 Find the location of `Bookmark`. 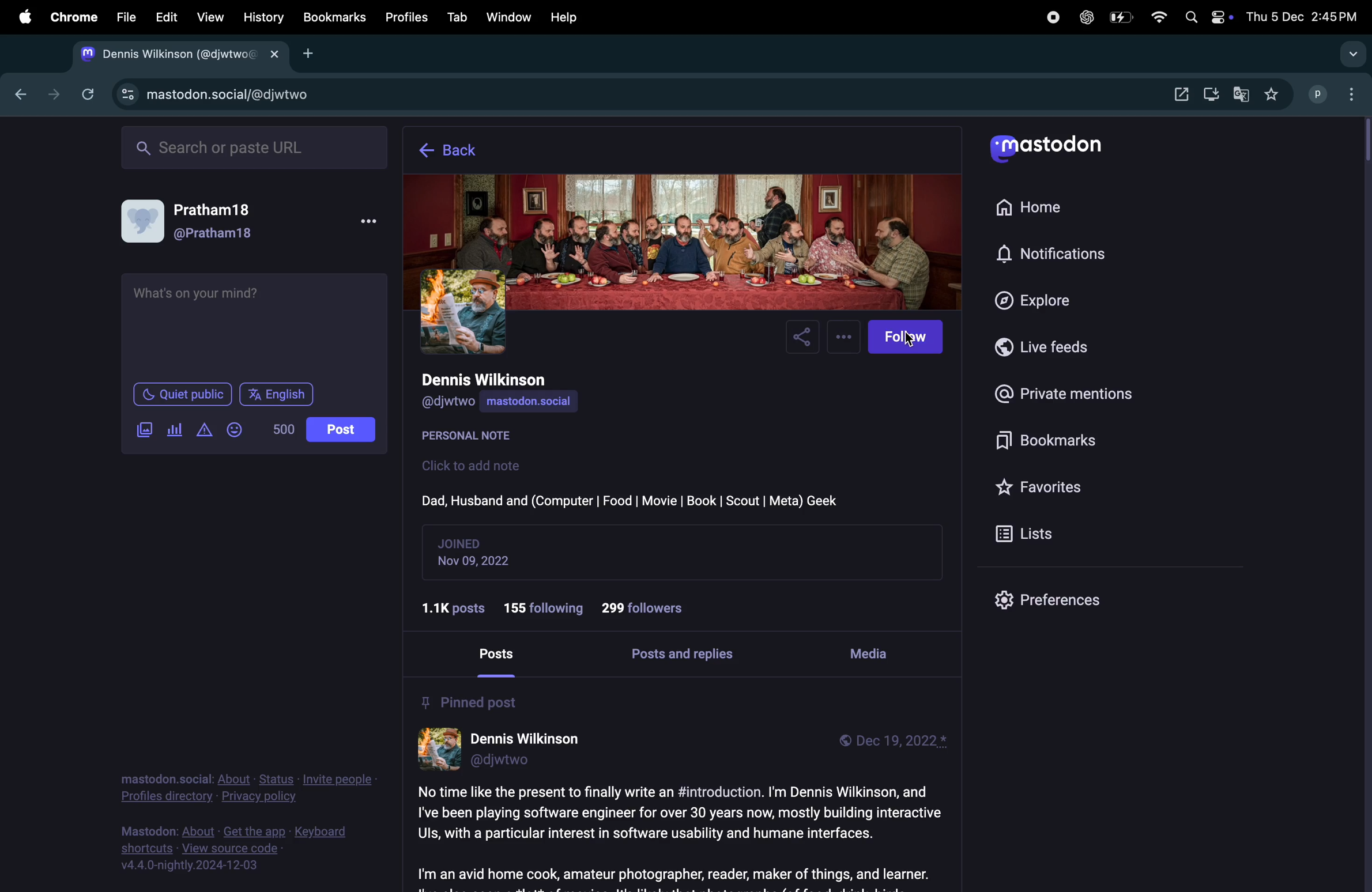

Bookmark is located at coordinates (335, 17).